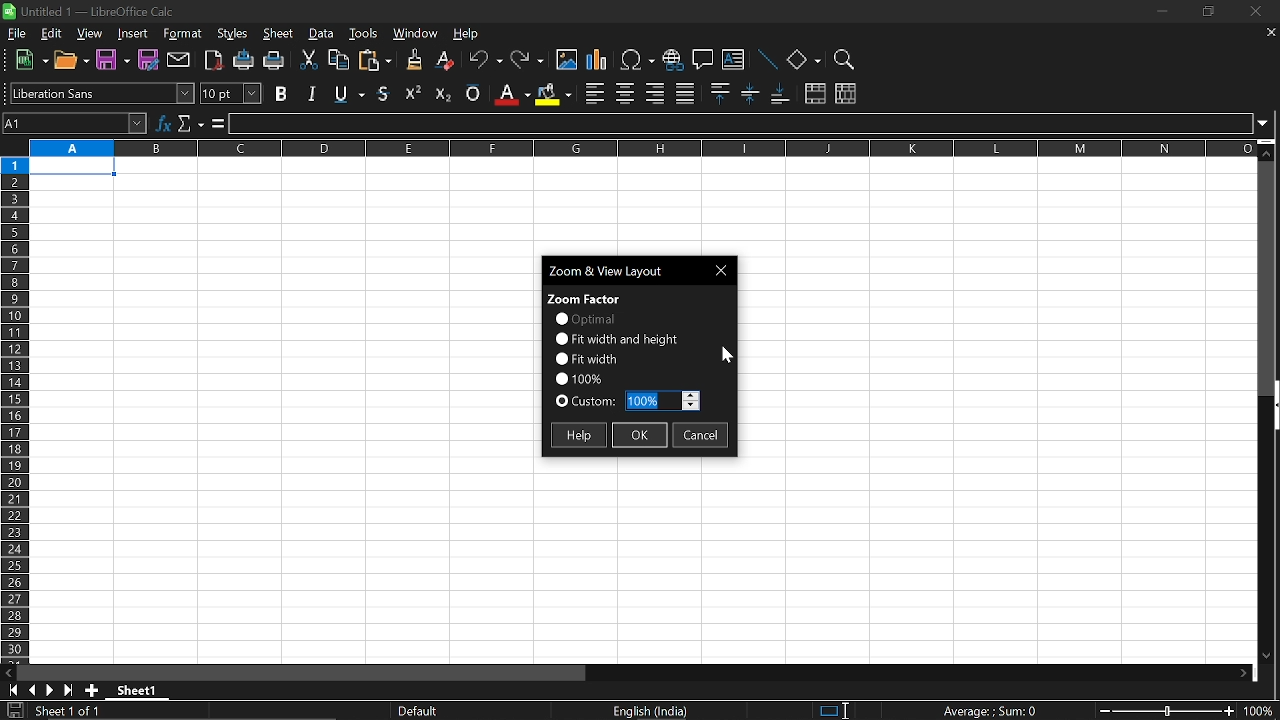  Describe the element at coordinates (76, 123) in the screenshot. I see `name box` at that location.